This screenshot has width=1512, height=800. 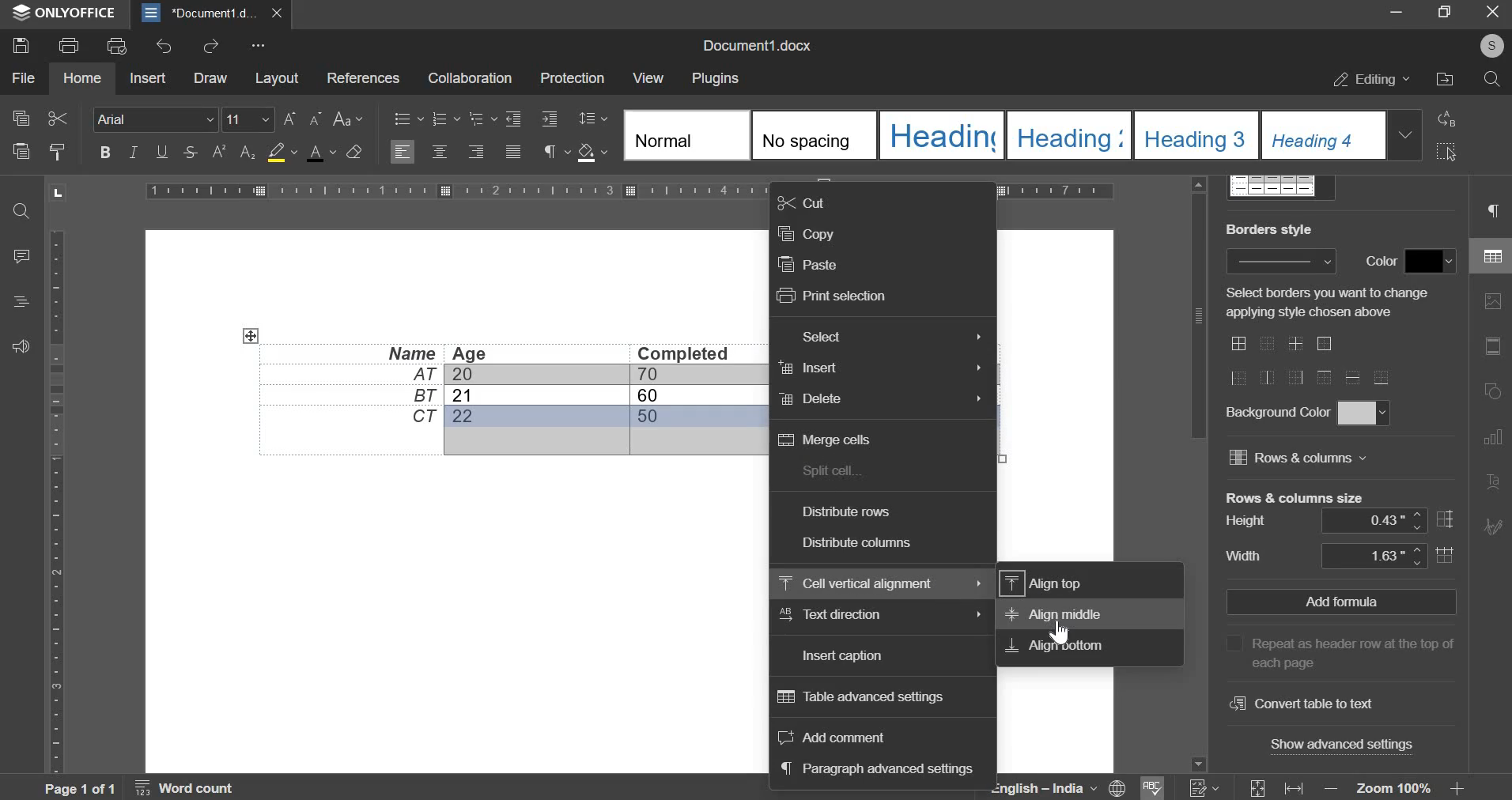 I want to click on search, so click(x=22, y=208).